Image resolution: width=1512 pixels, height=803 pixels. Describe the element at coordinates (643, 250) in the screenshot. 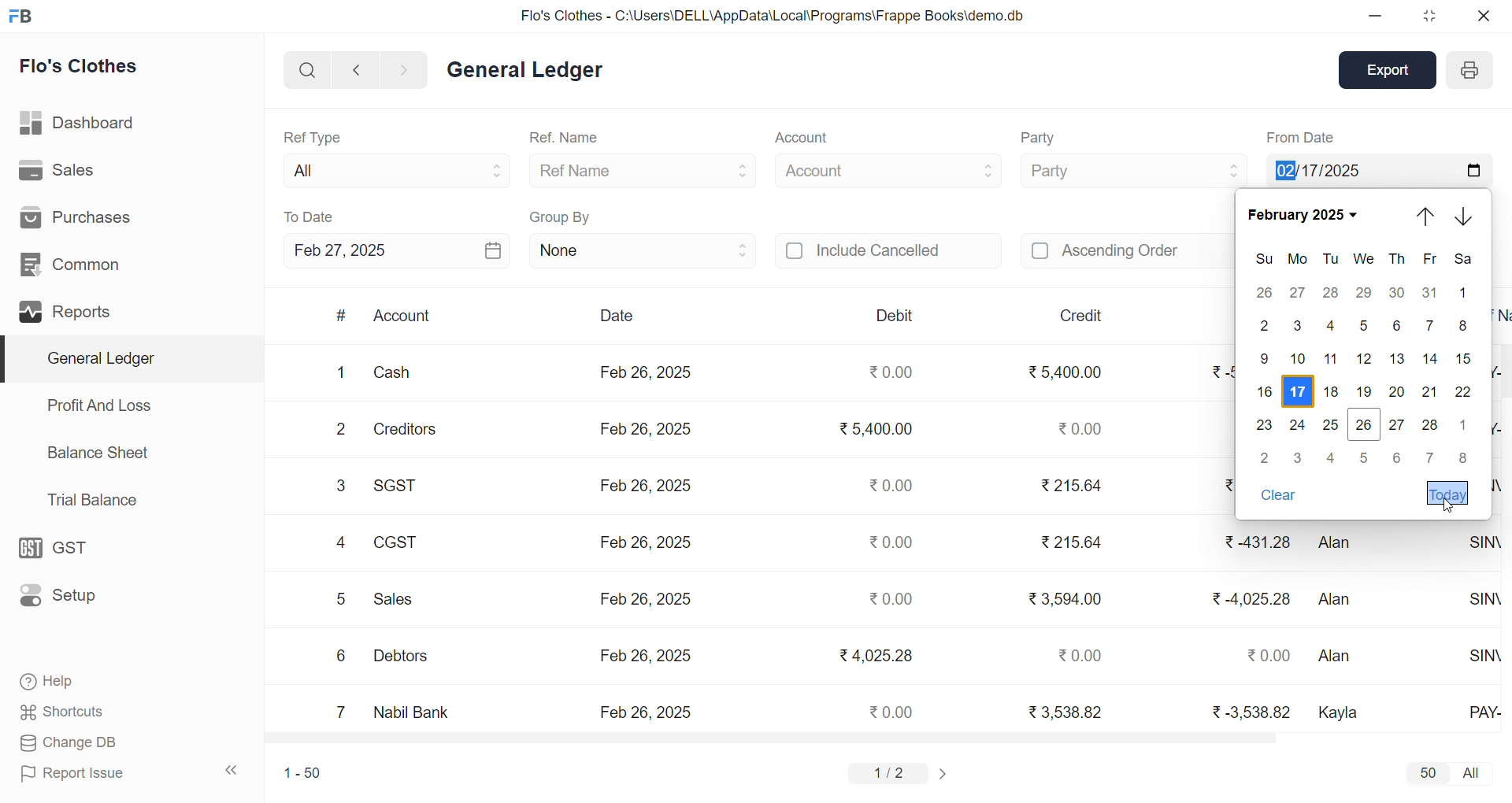

I see `None` at that location.